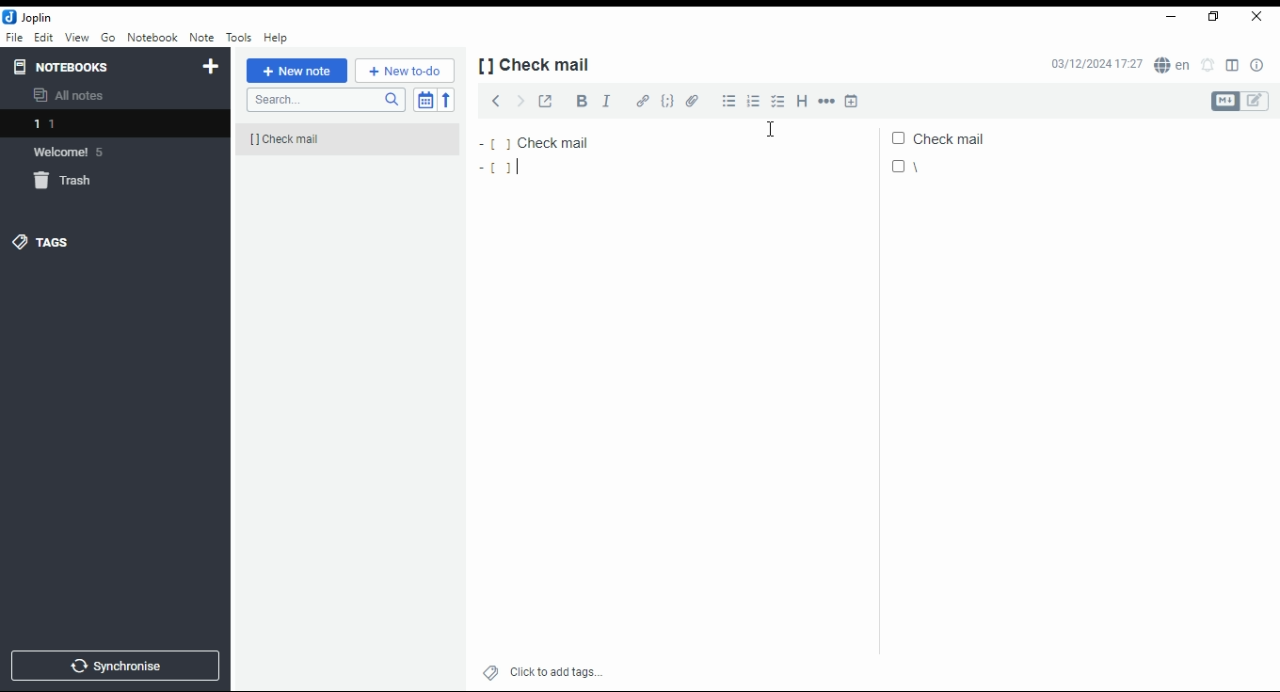 Image resolution: width=1280 pixels, height=692 pixels. I want to click on welcome, so click(76, 152).